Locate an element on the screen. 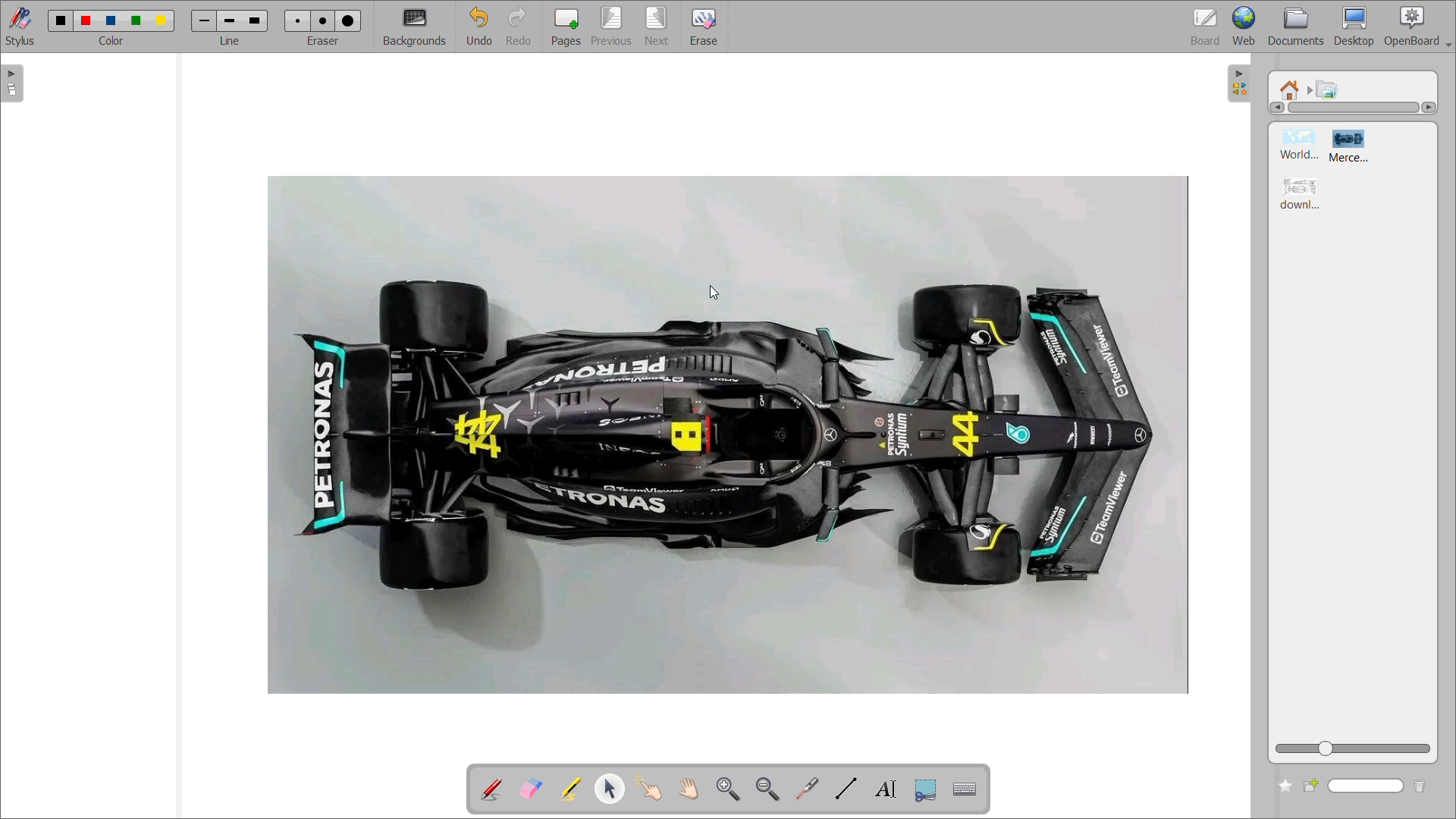 The width and height of the screenshot is (1456, 819). pages is located at coordinates (566, 28).